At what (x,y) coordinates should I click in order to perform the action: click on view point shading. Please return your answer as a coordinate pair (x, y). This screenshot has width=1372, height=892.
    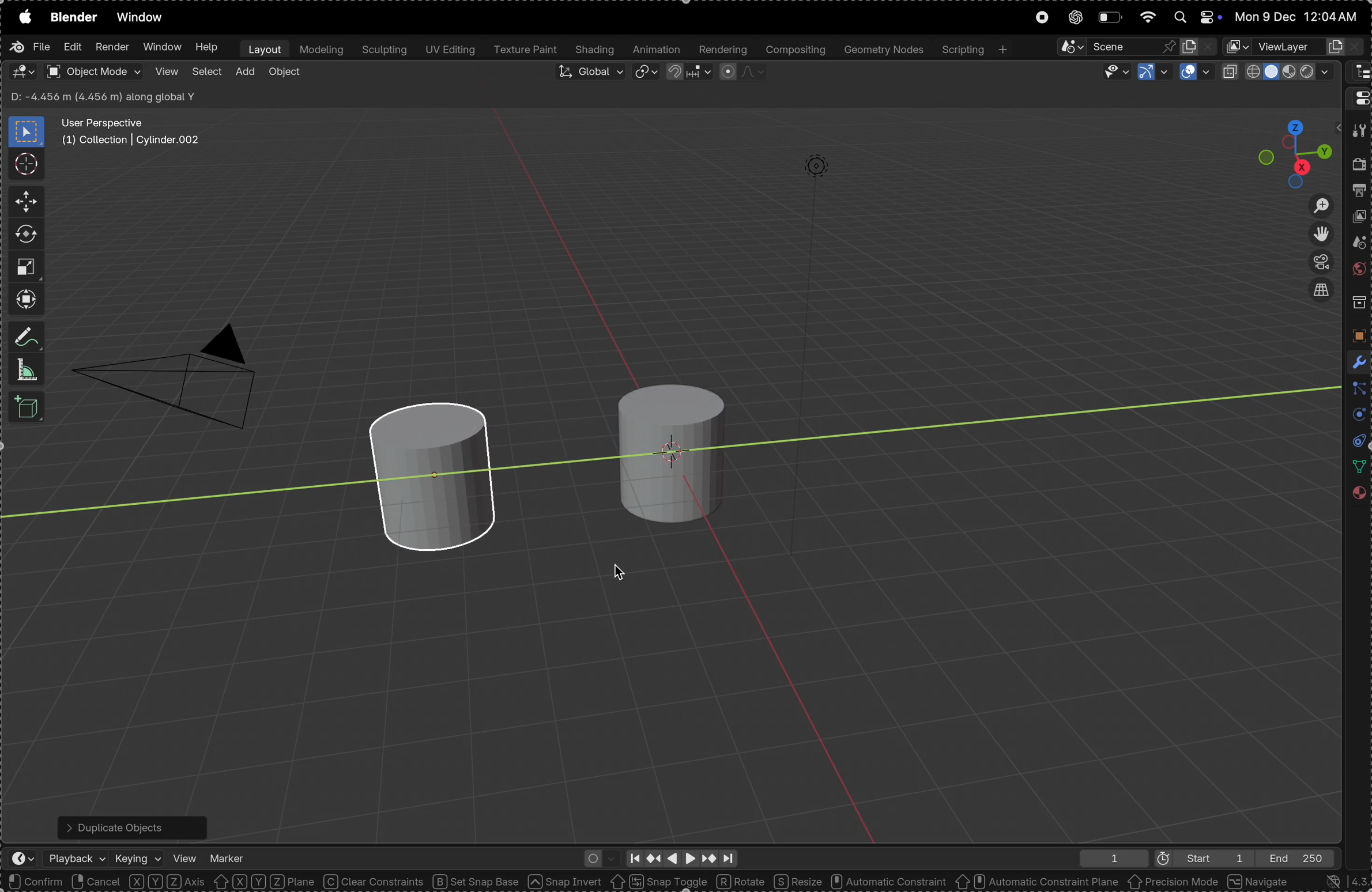
    Looking at the image, I should click on (1280, 72).